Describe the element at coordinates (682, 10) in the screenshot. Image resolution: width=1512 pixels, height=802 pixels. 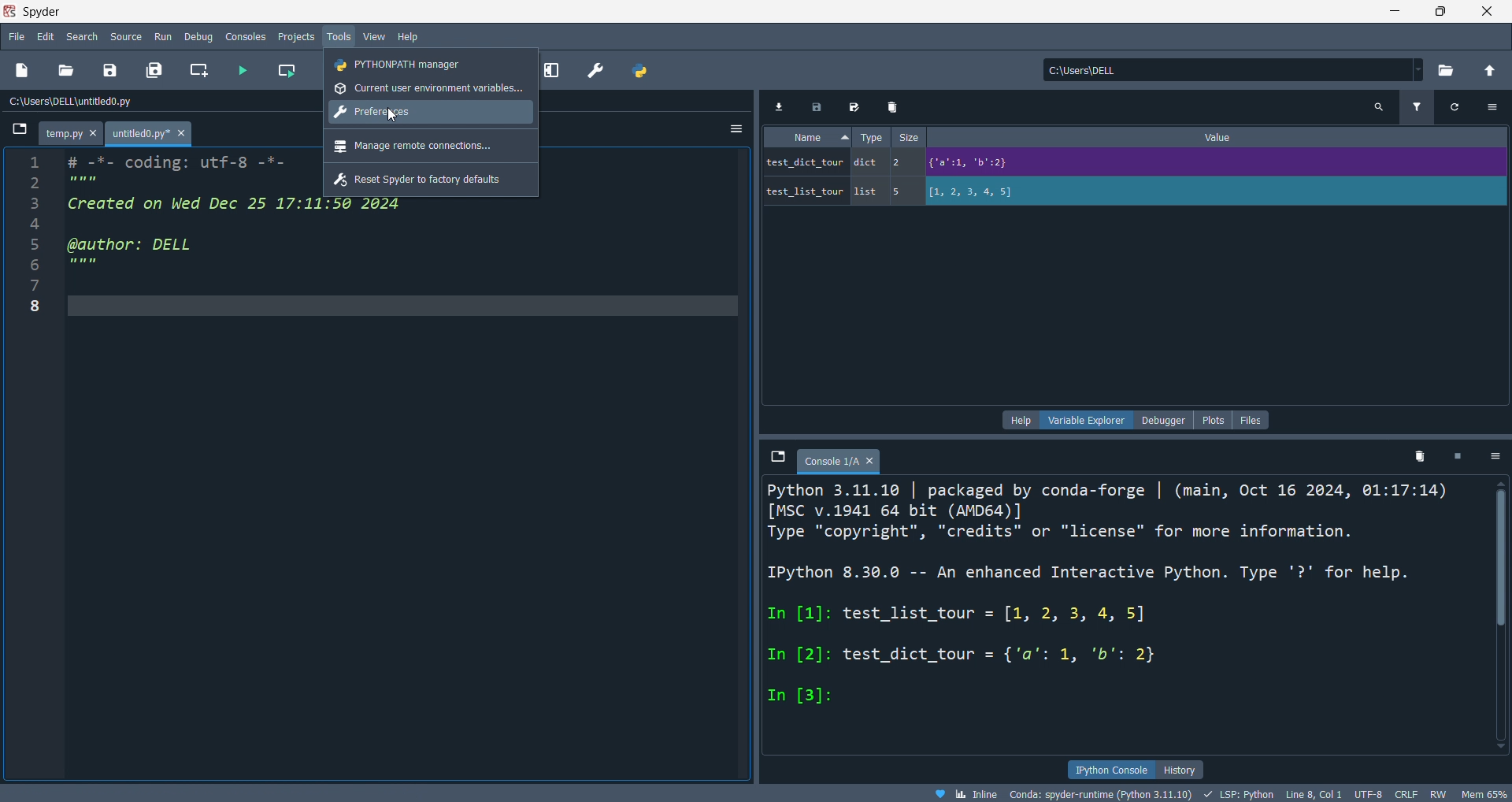
I see `Spyder` at that location.